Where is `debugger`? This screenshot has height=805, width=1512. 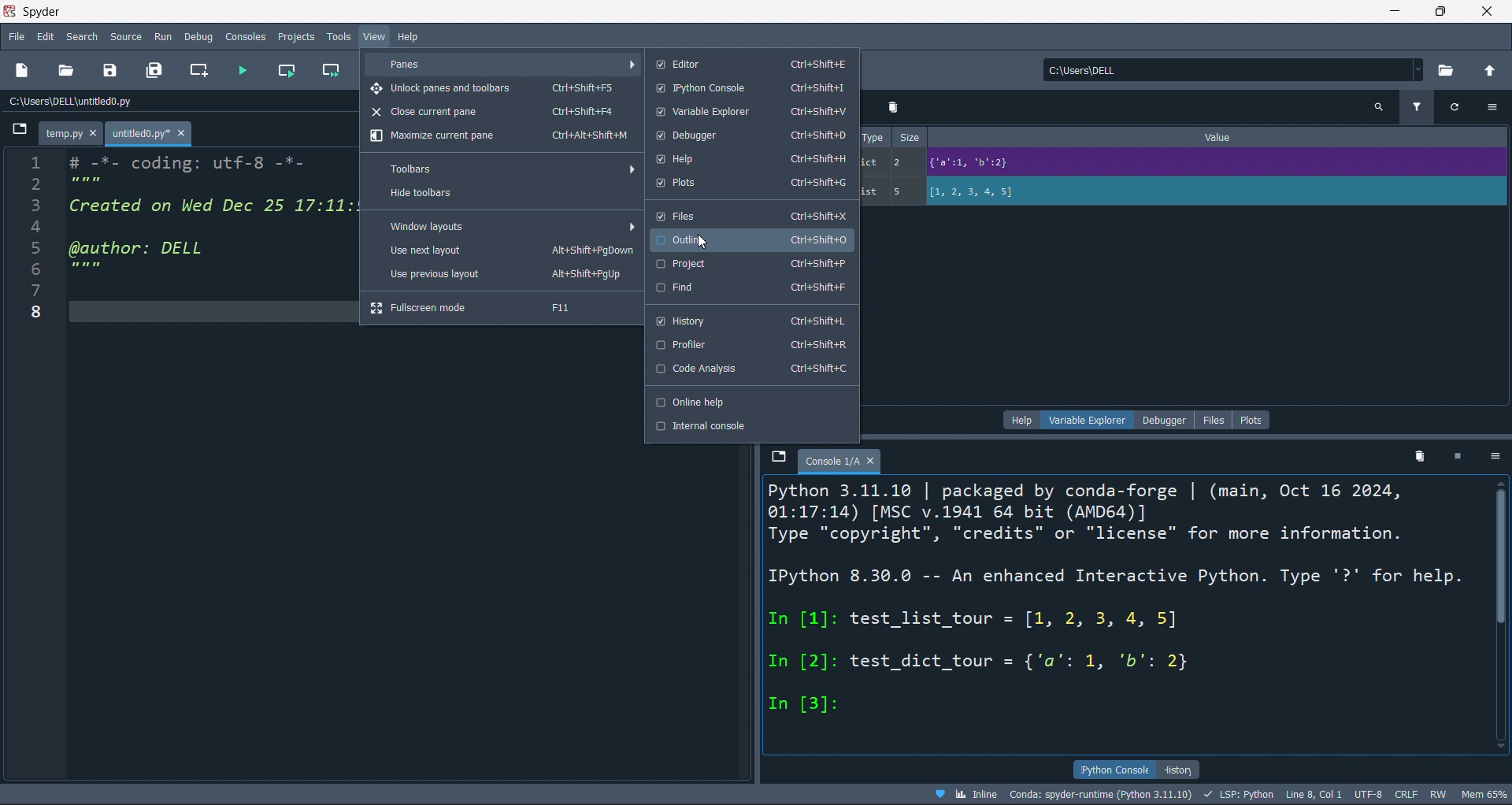
debugger is located at coordinates (1165, 419).